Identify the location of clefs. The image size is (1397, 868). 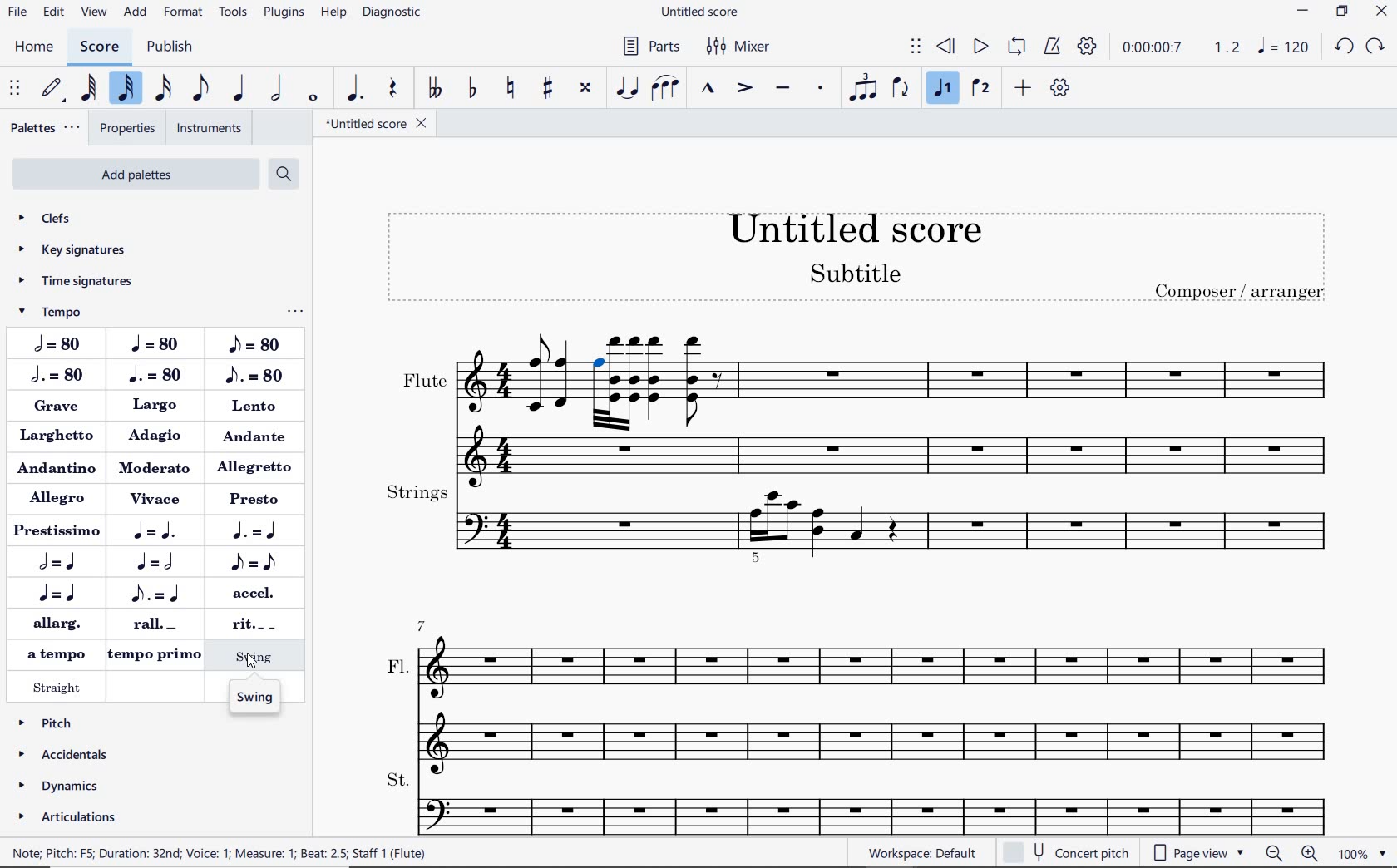
(81, 217).